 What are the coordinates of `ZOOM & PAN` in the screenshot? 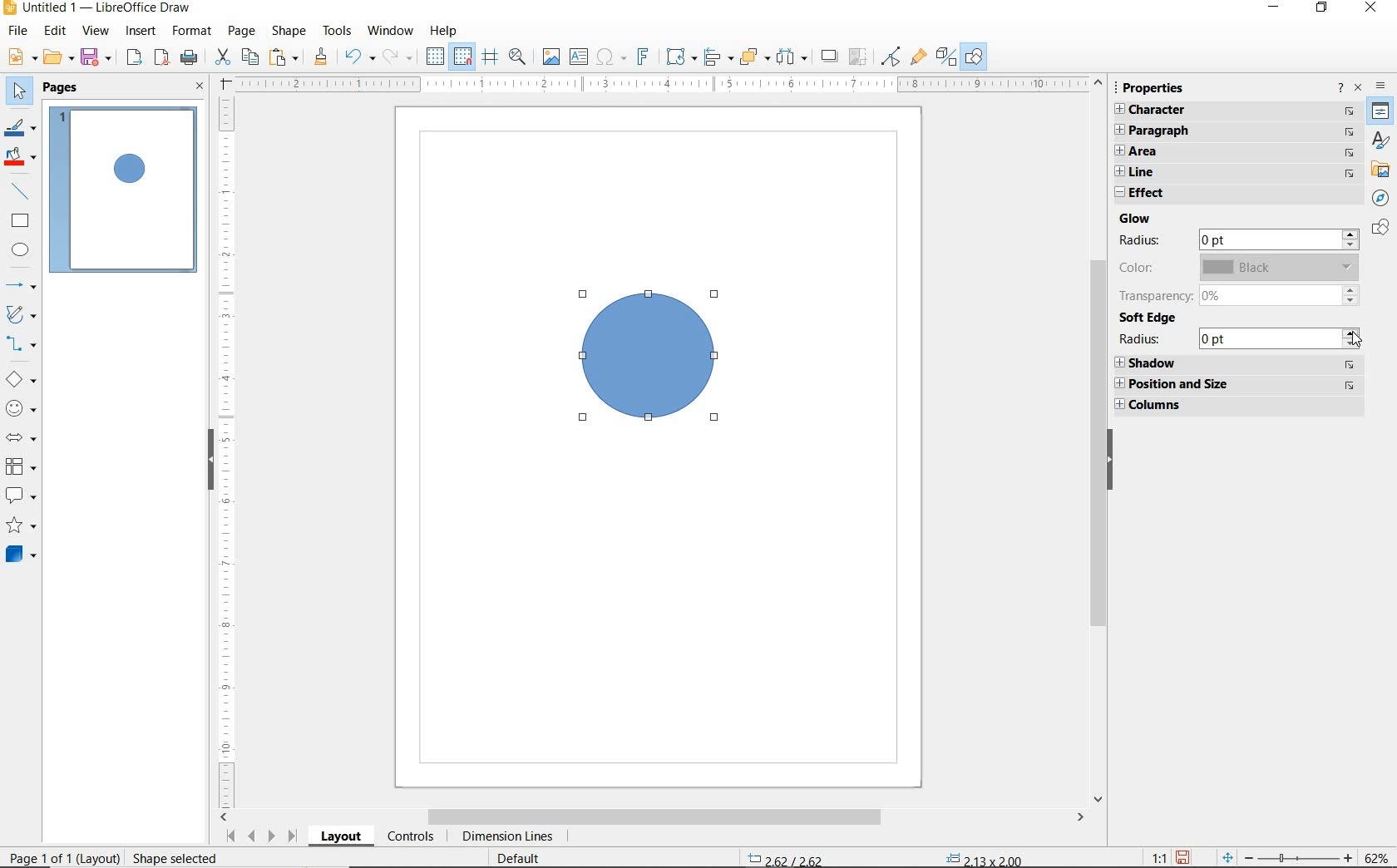 It's located at (520, 58).